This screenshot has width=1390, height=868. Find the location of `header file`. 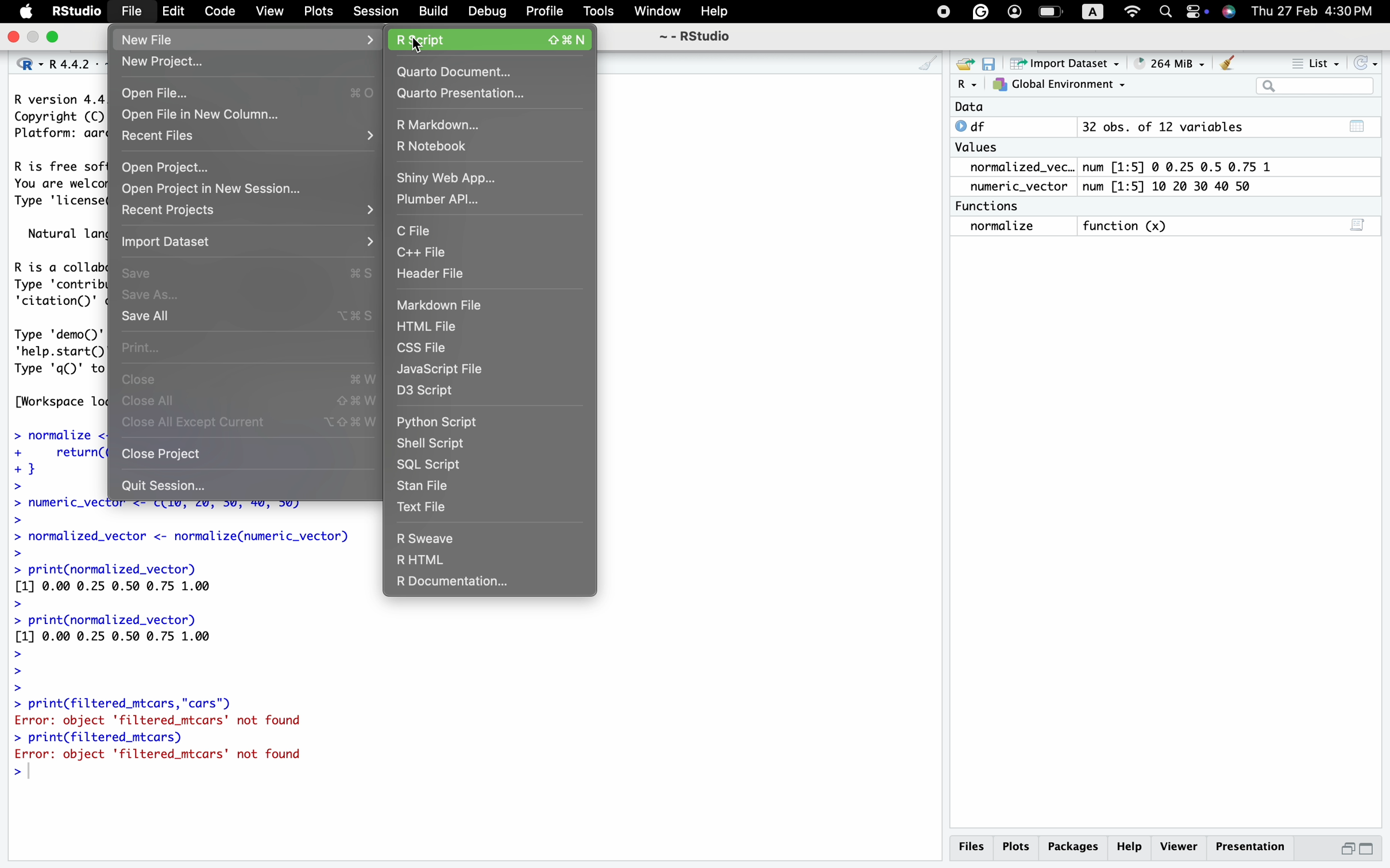

header file is located at coordinates (489, 276).